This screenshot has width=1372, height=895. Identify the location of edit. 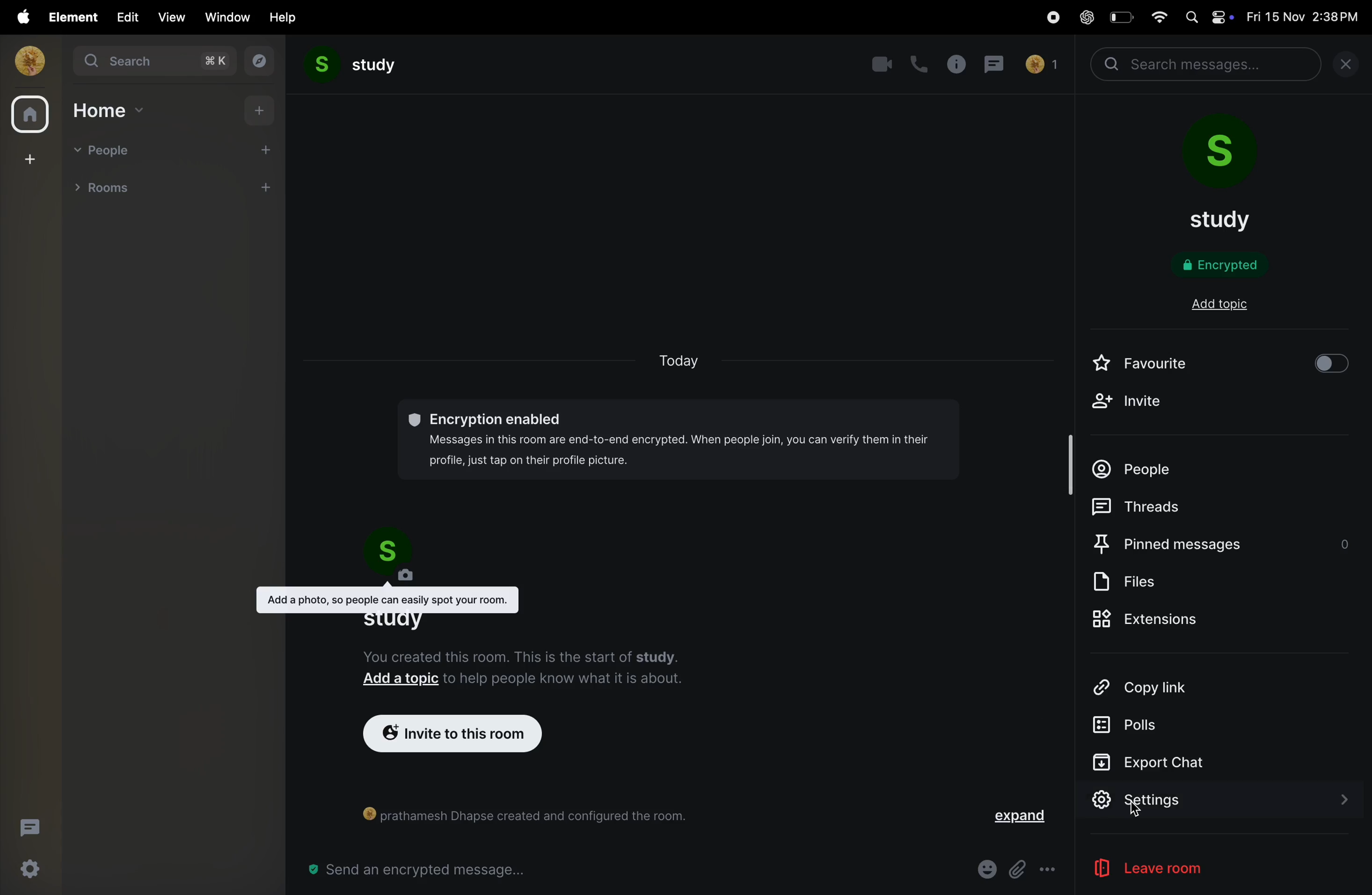
(125, 16).